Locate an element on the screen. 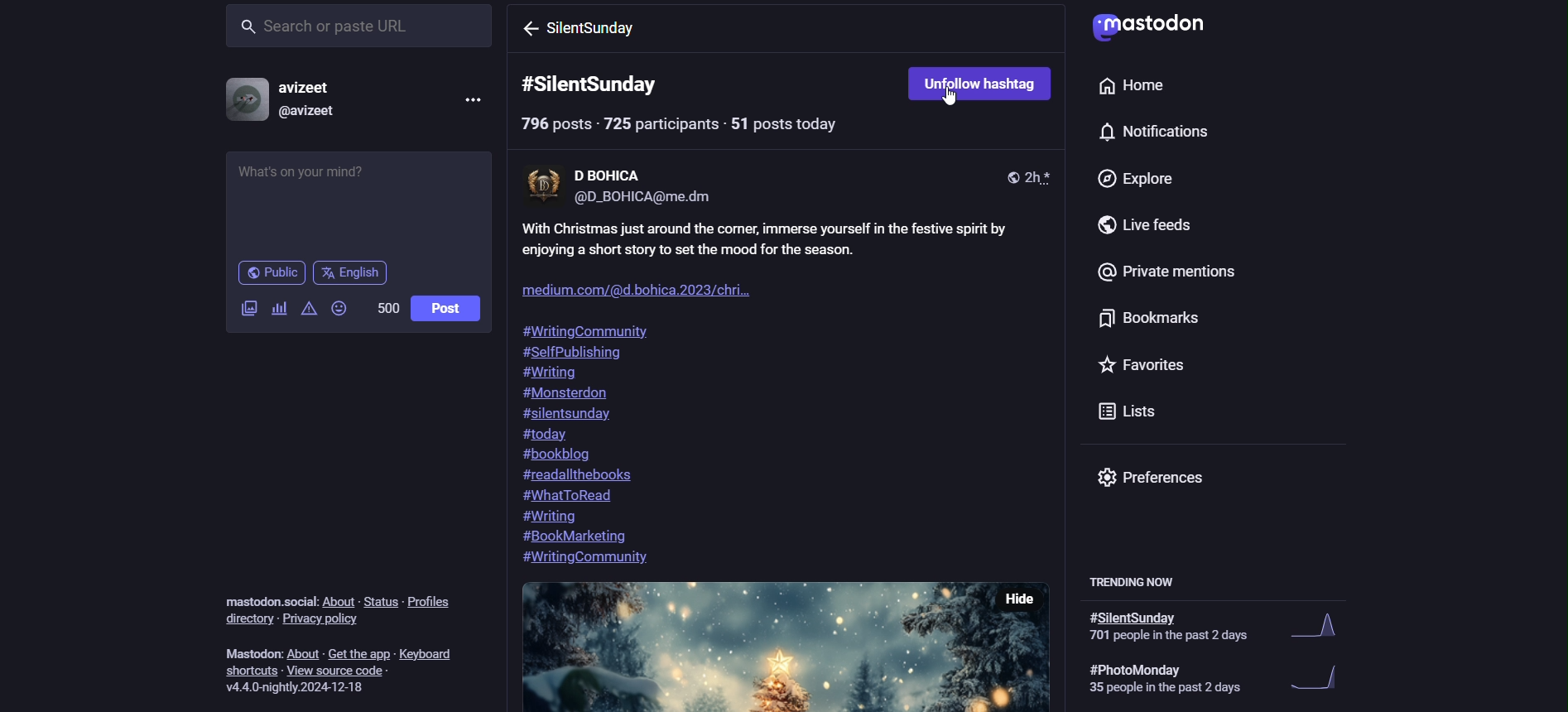  add image is located at coordinates (247, 311).